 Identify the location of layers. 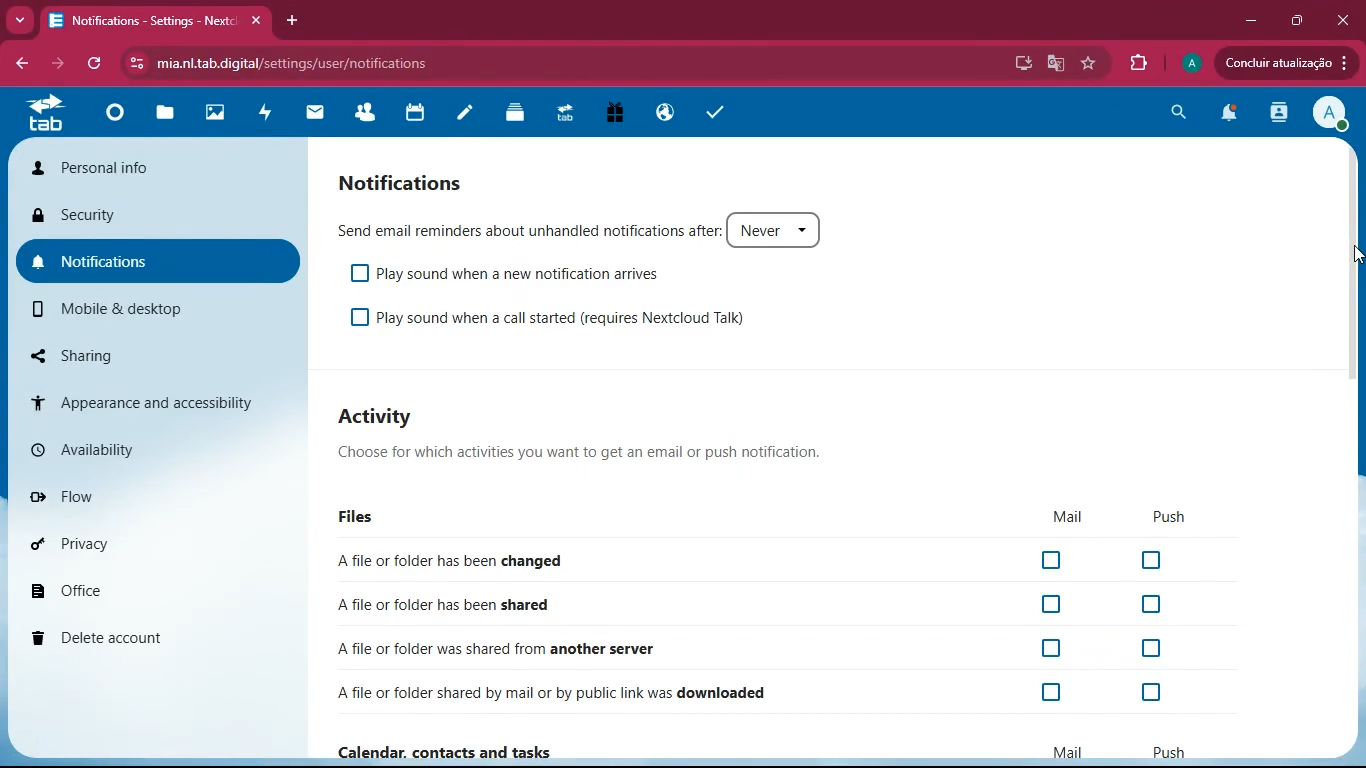
(519, 113).